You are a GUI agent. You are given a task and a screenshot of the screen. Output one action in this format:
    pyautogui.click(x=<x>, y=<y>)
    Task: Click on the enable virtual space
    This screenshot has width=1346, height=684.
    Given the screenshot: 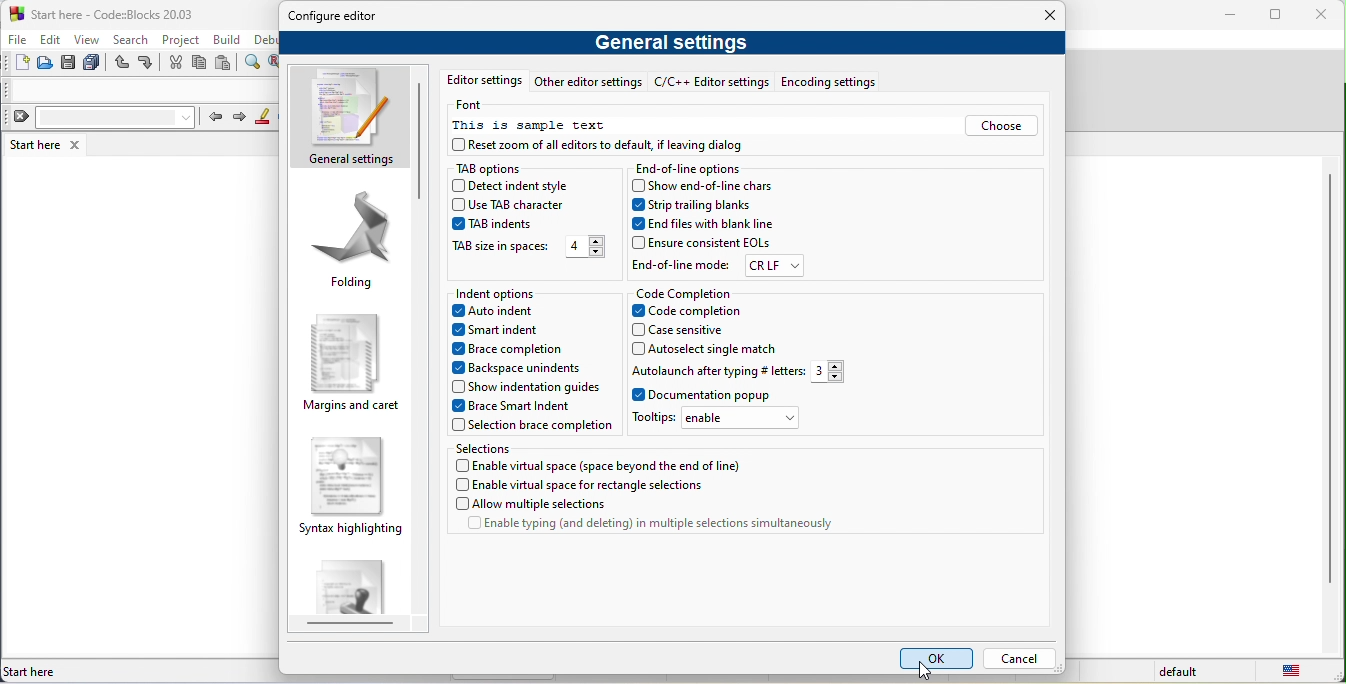 What is the action you would take?
    pyautogui.click(x=604, y=466)
    